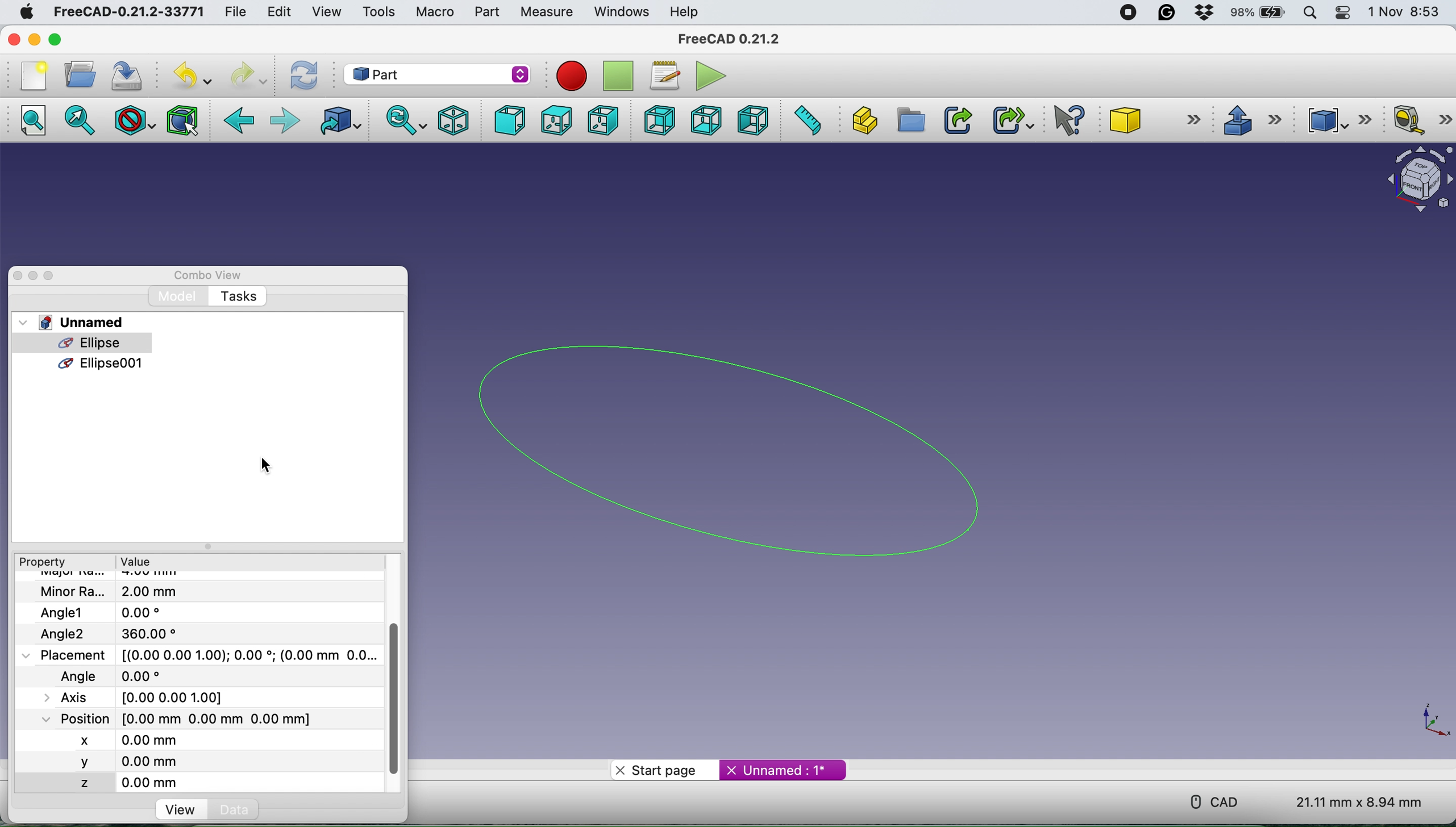  I want to click on compound tools, so click(1336, 120).